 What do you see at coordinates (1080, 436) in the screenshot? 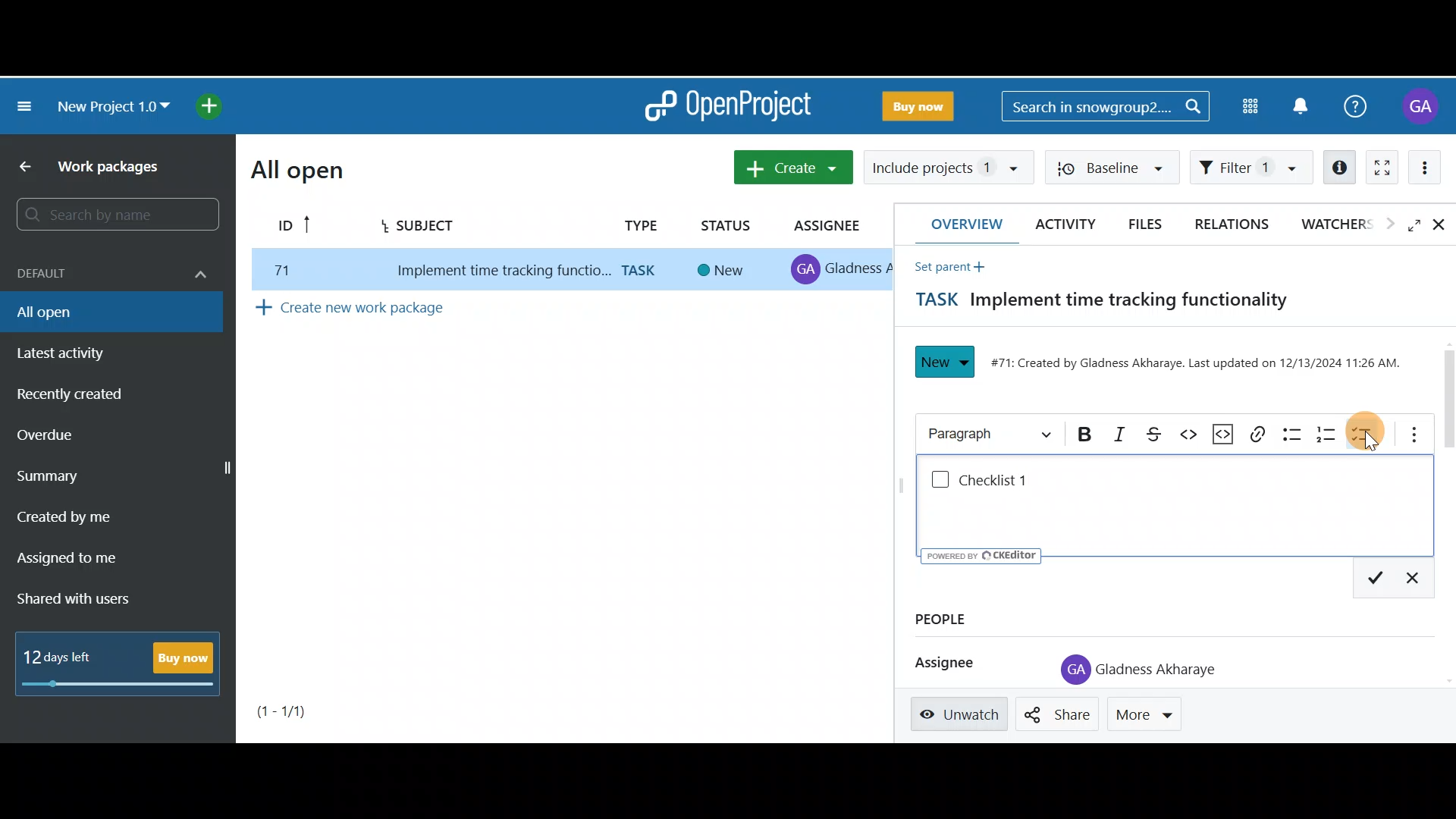
I see `Bold` at bounding box center [1080, 436].